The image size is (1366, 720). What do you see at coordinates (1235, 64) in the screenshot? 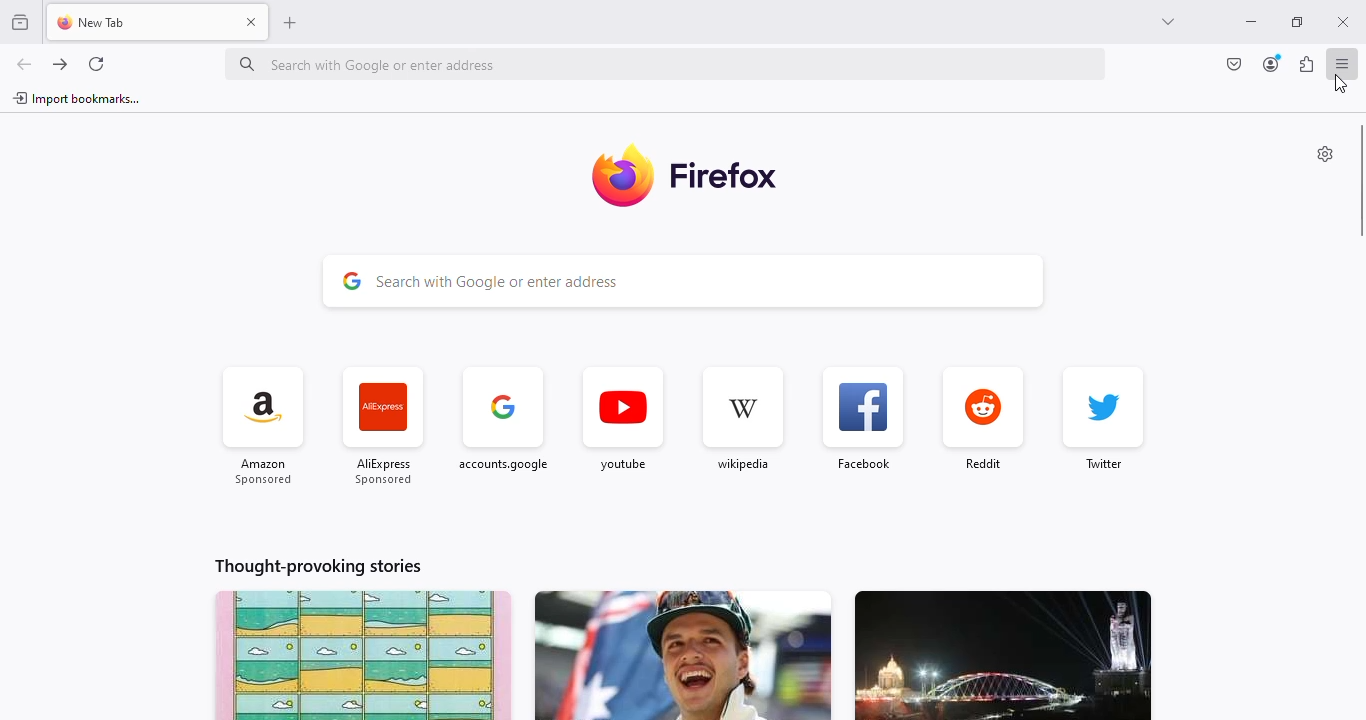
I see `save to pocket` at bounding box center [1235, 64].